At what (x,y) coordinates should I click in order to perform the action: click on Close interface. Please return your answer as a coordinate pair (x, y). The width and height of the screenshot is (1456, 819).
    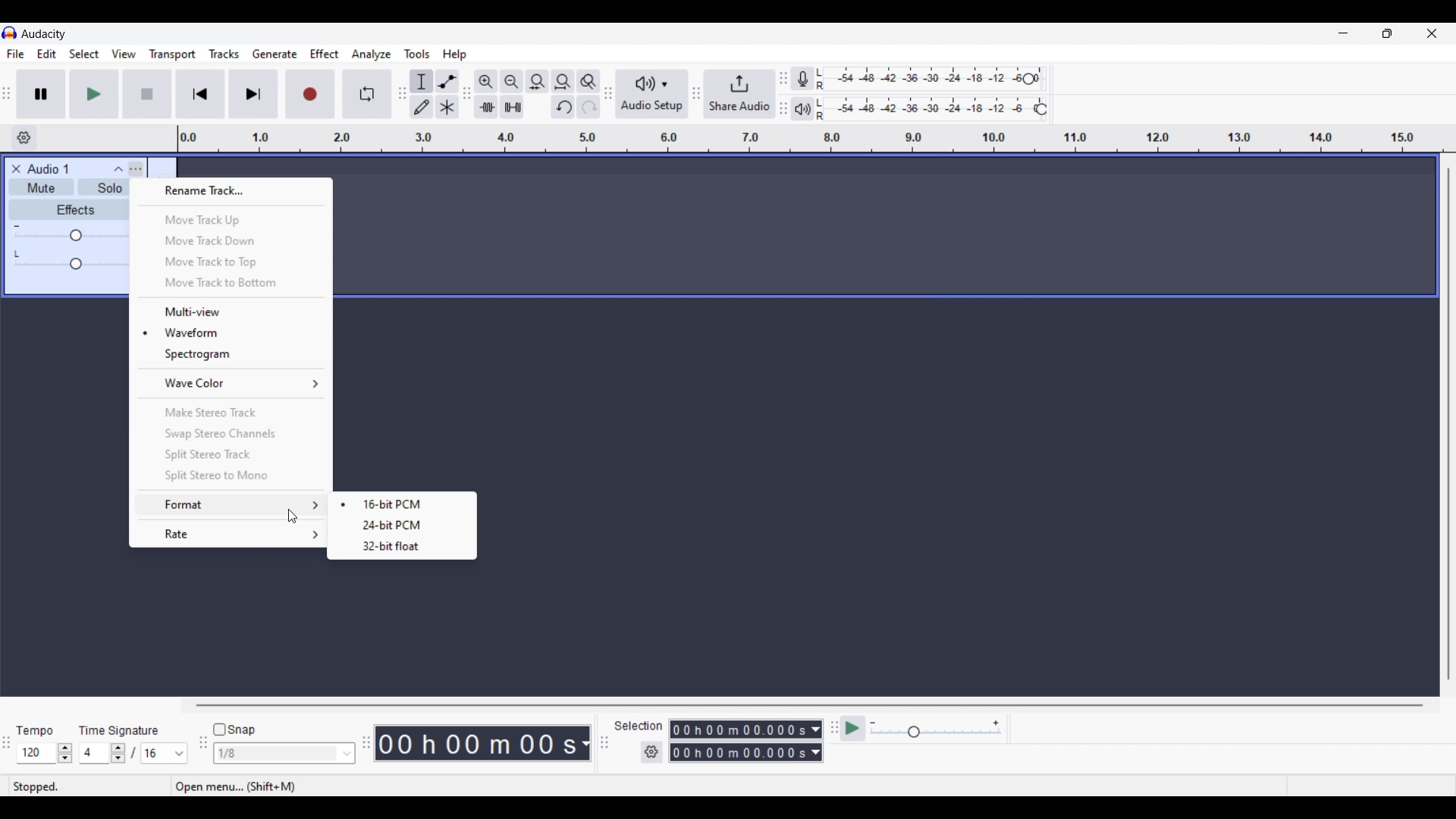
    Looking at the image, I should click on (1432, 33).